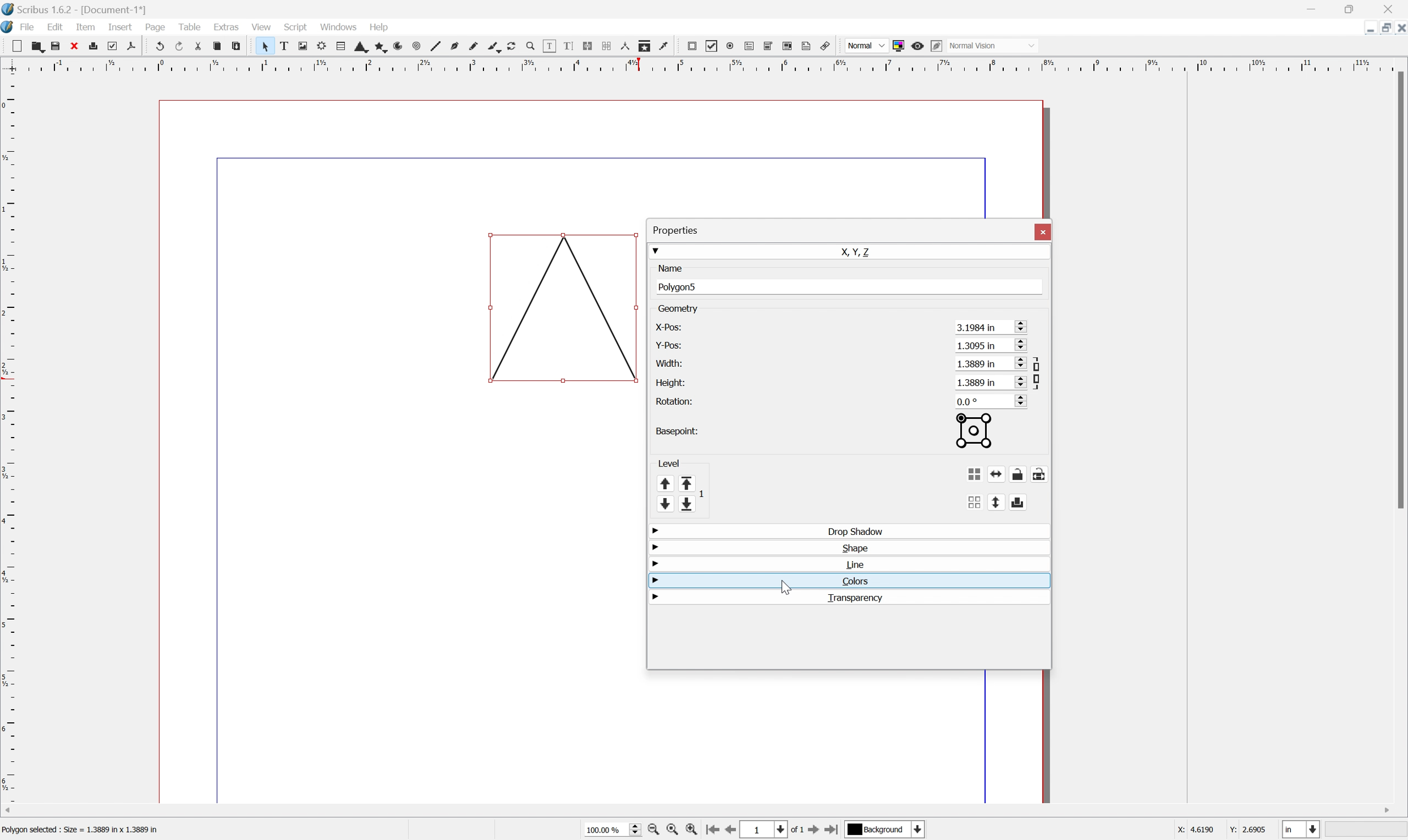  I want to click on Slider, so click(631, 830).